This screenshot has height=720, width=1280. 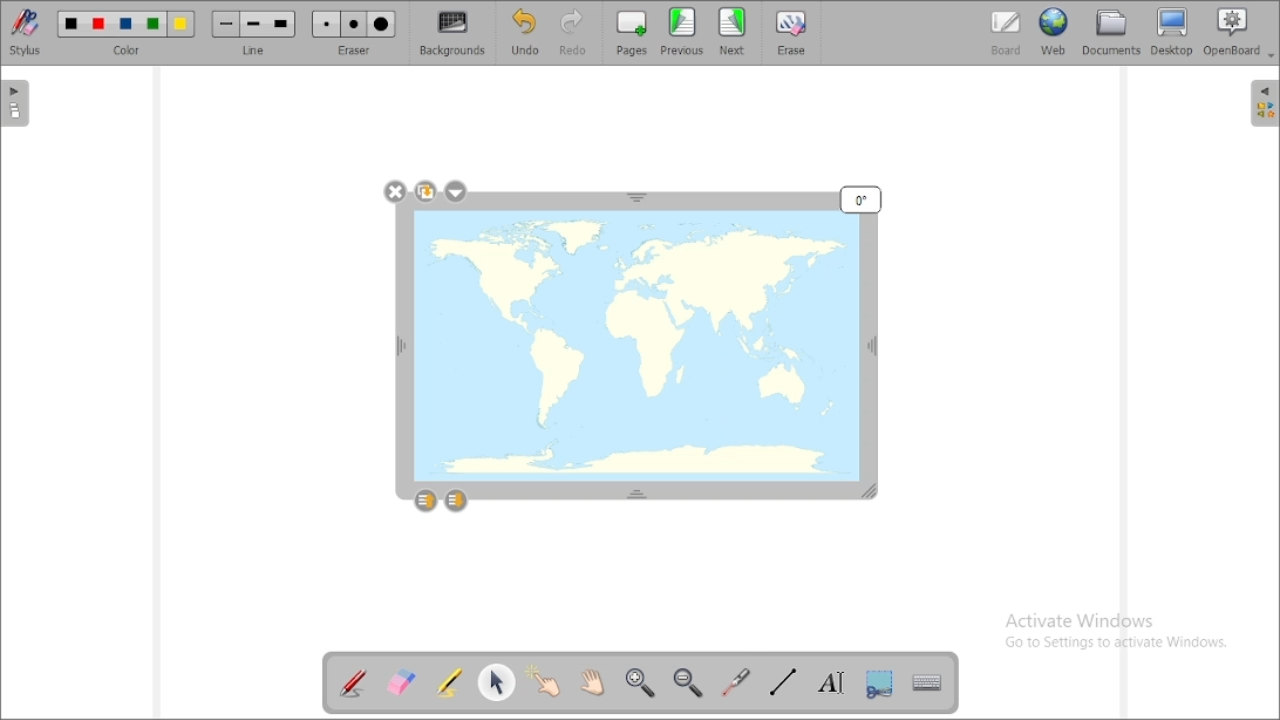 What do you see at coordinates (592, 681) in the screenshot?
I see `scroll page` at bounding box center [592, 681].